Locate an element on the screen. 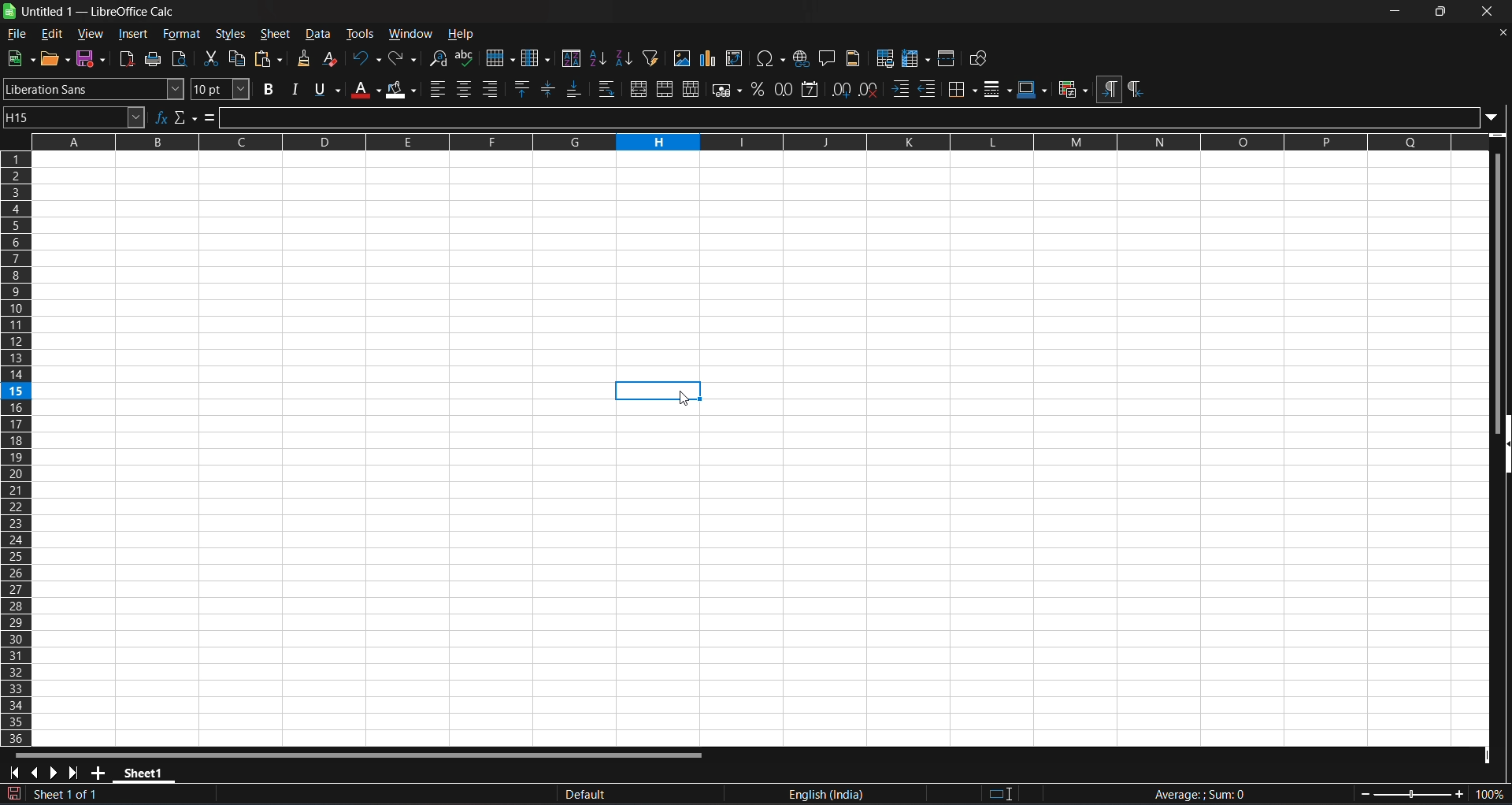  merge and center or unmerge cells depending on the current toggle state is located at coordinates (640, 89).